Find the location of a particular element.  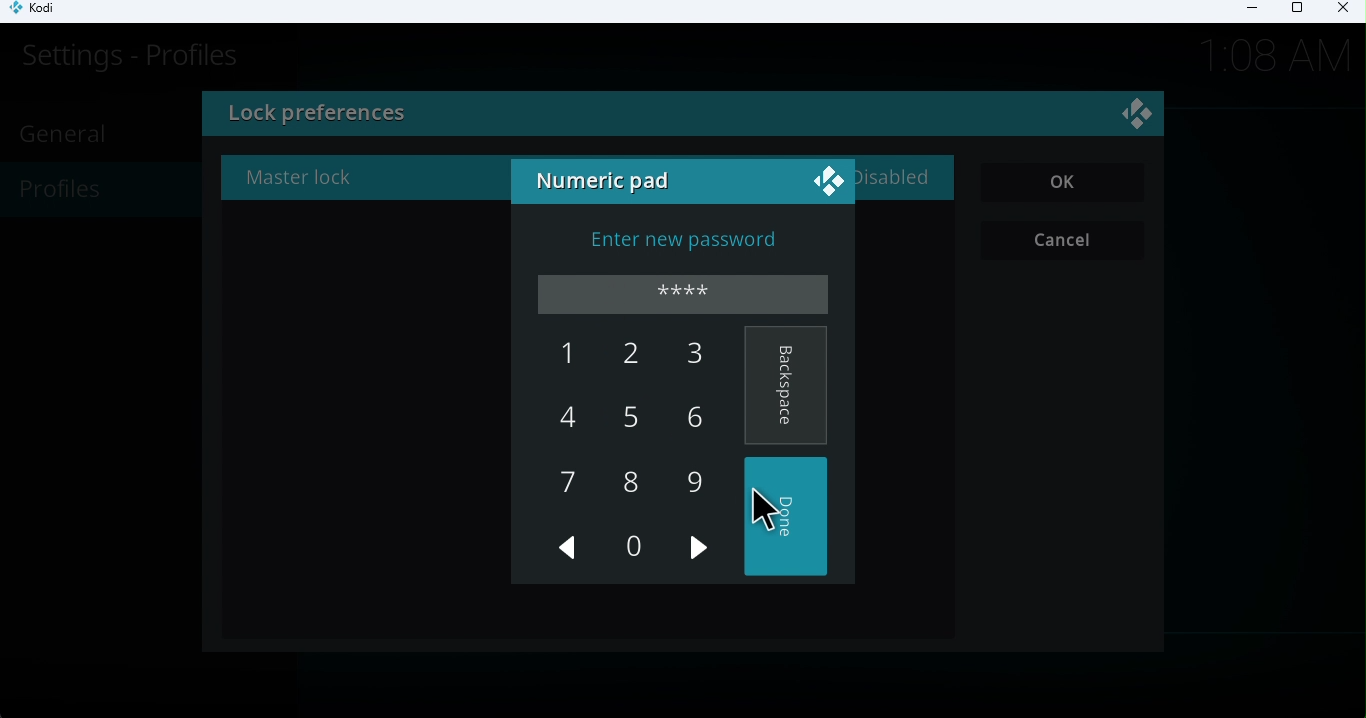

OK is located at coordinates (1064, 183).